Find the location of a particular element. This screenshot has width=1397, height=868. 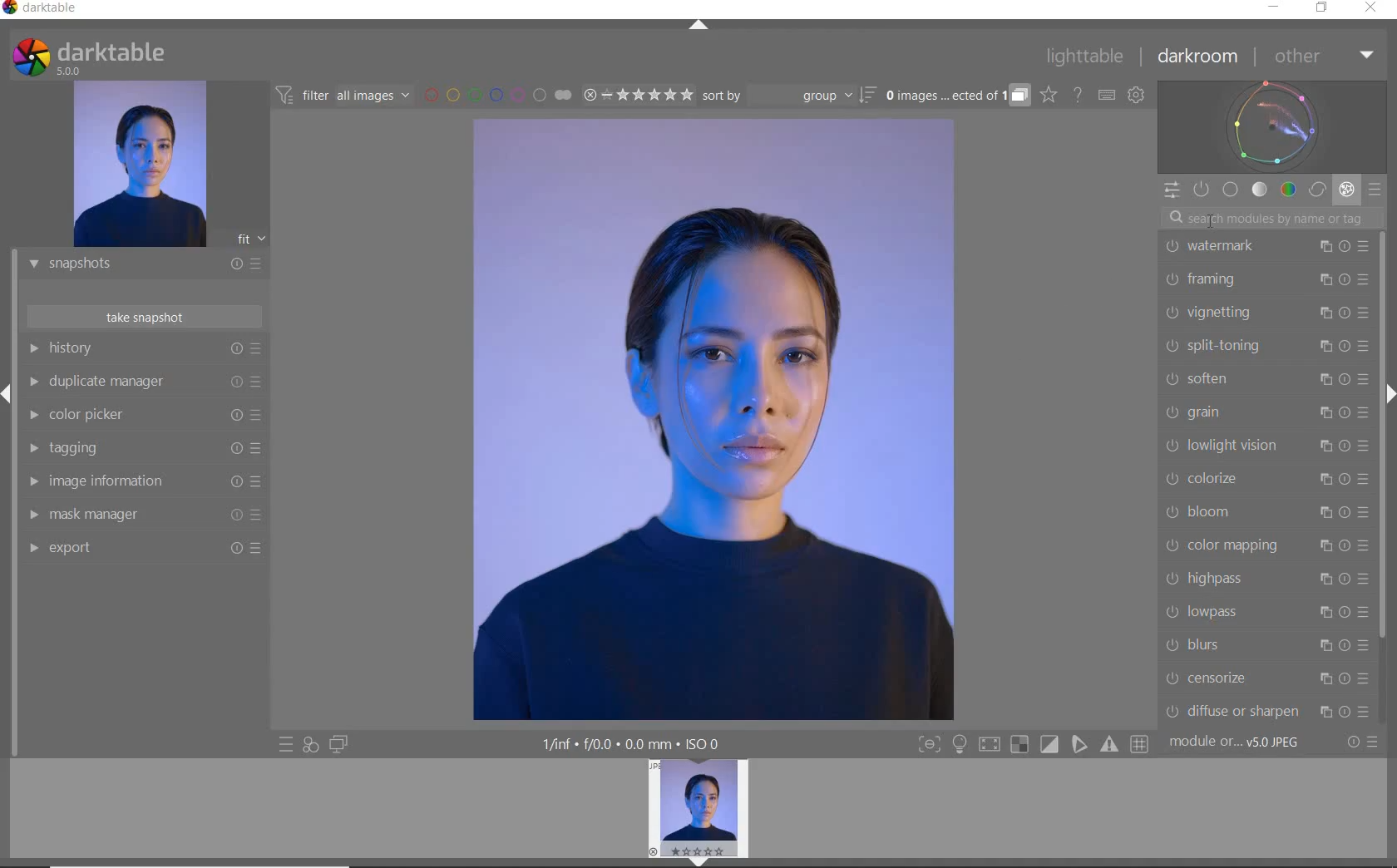

Expand/Collapse is located at coordinates (8, 394).